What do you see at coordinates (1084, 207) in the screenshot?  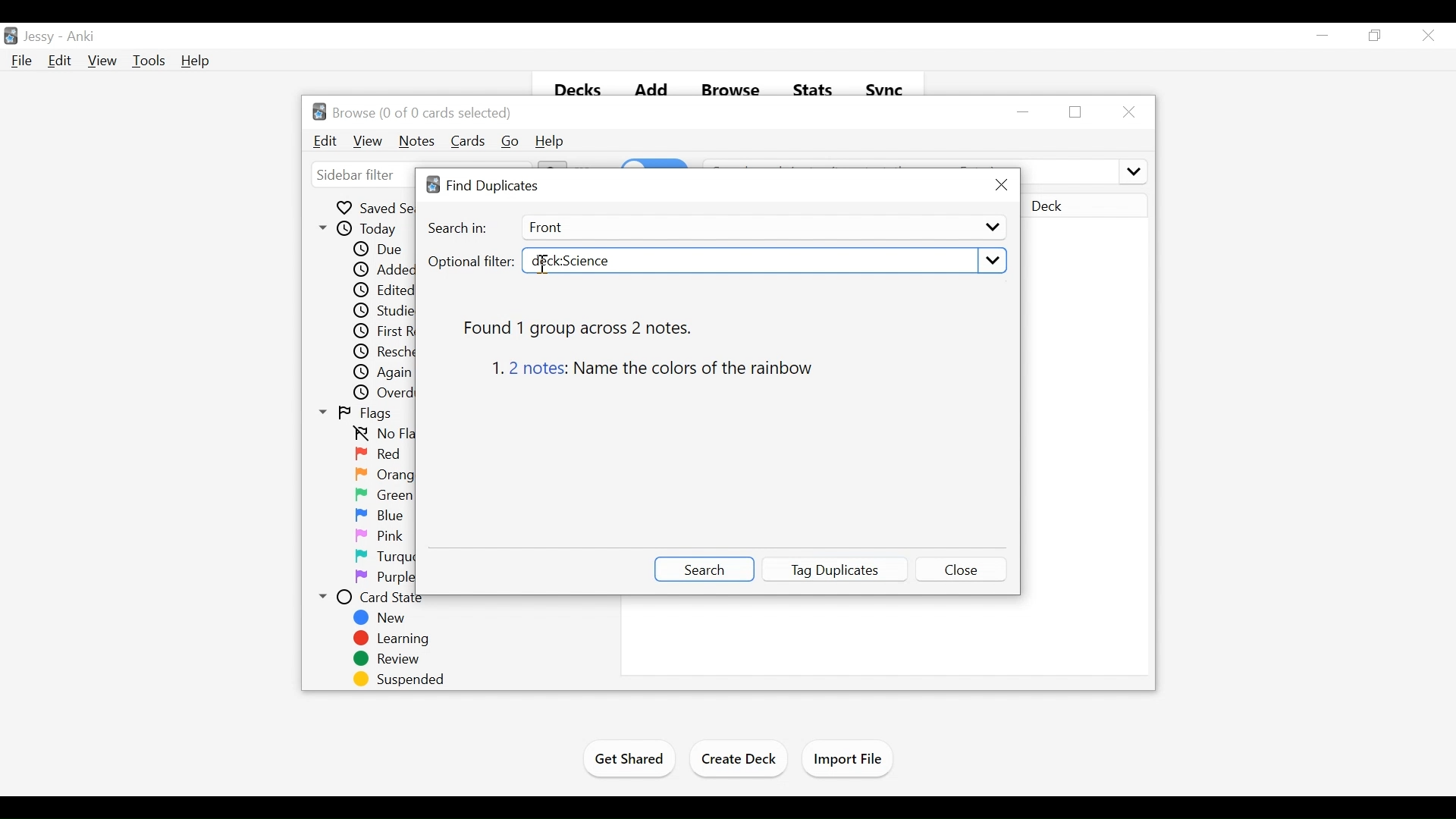 I see `Deck` at bounding box center [1084, 207].